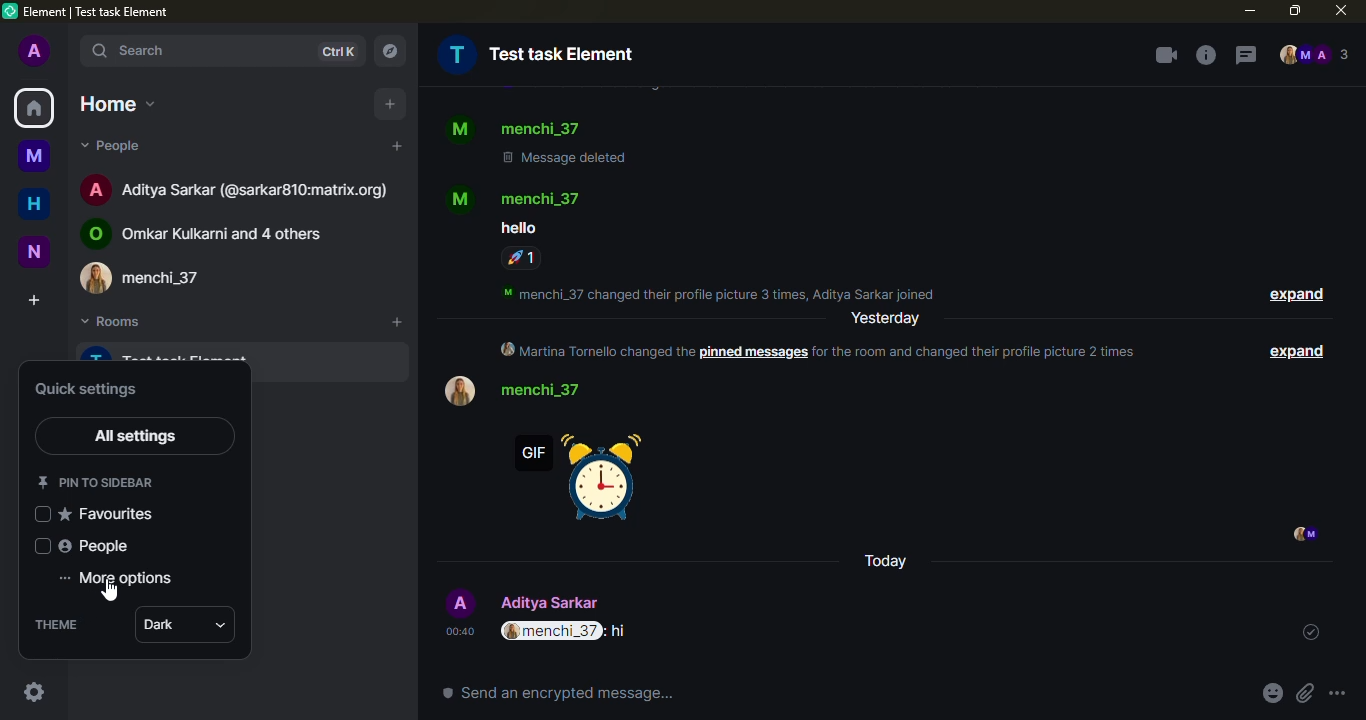 This screenshot has height=720, width=1366. I want to click on home, so click(113, 100).